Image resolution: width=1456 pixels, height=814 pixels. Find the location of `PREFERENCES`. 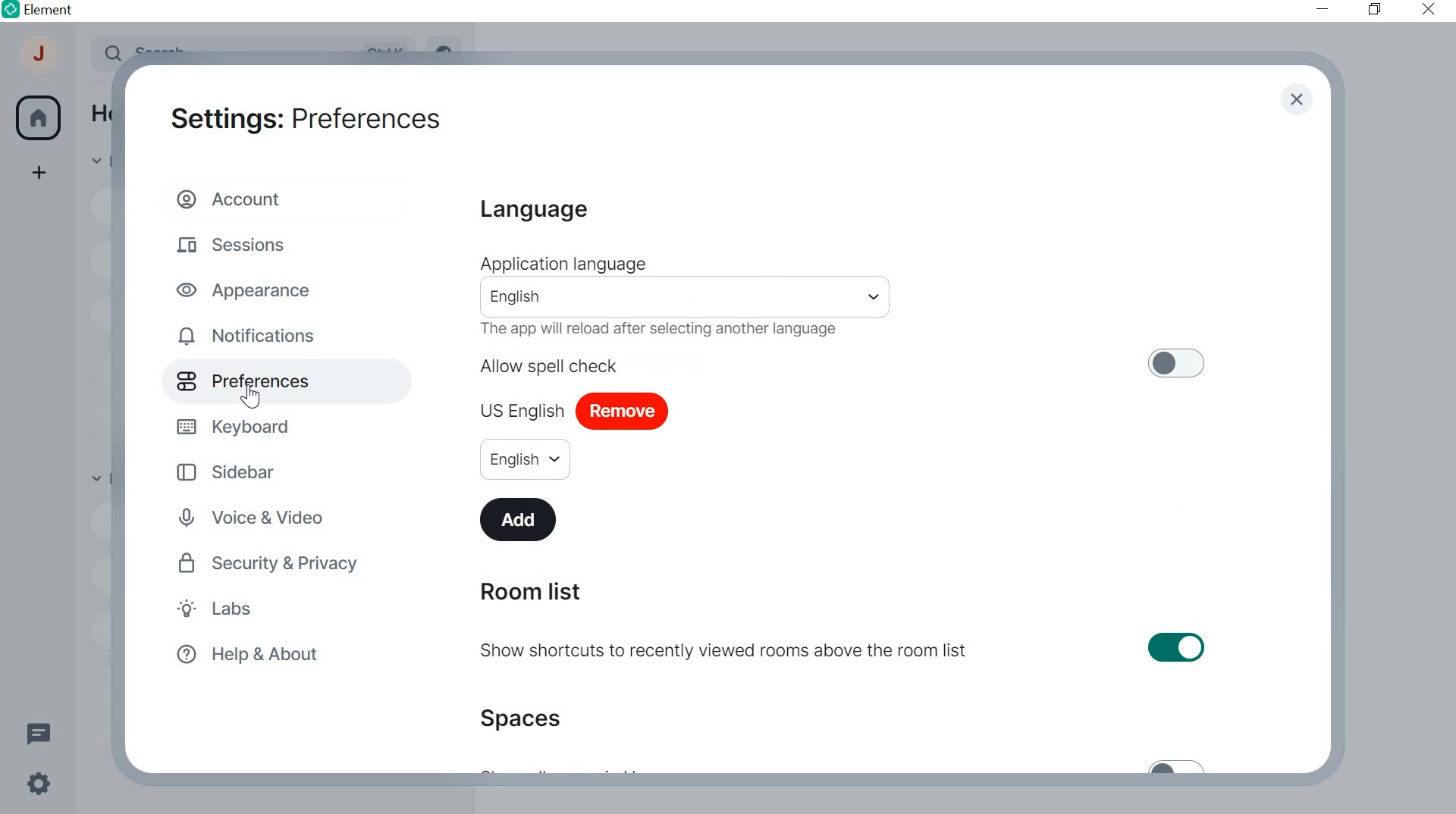

PREFERENCES is located at coordinates (262, 381).